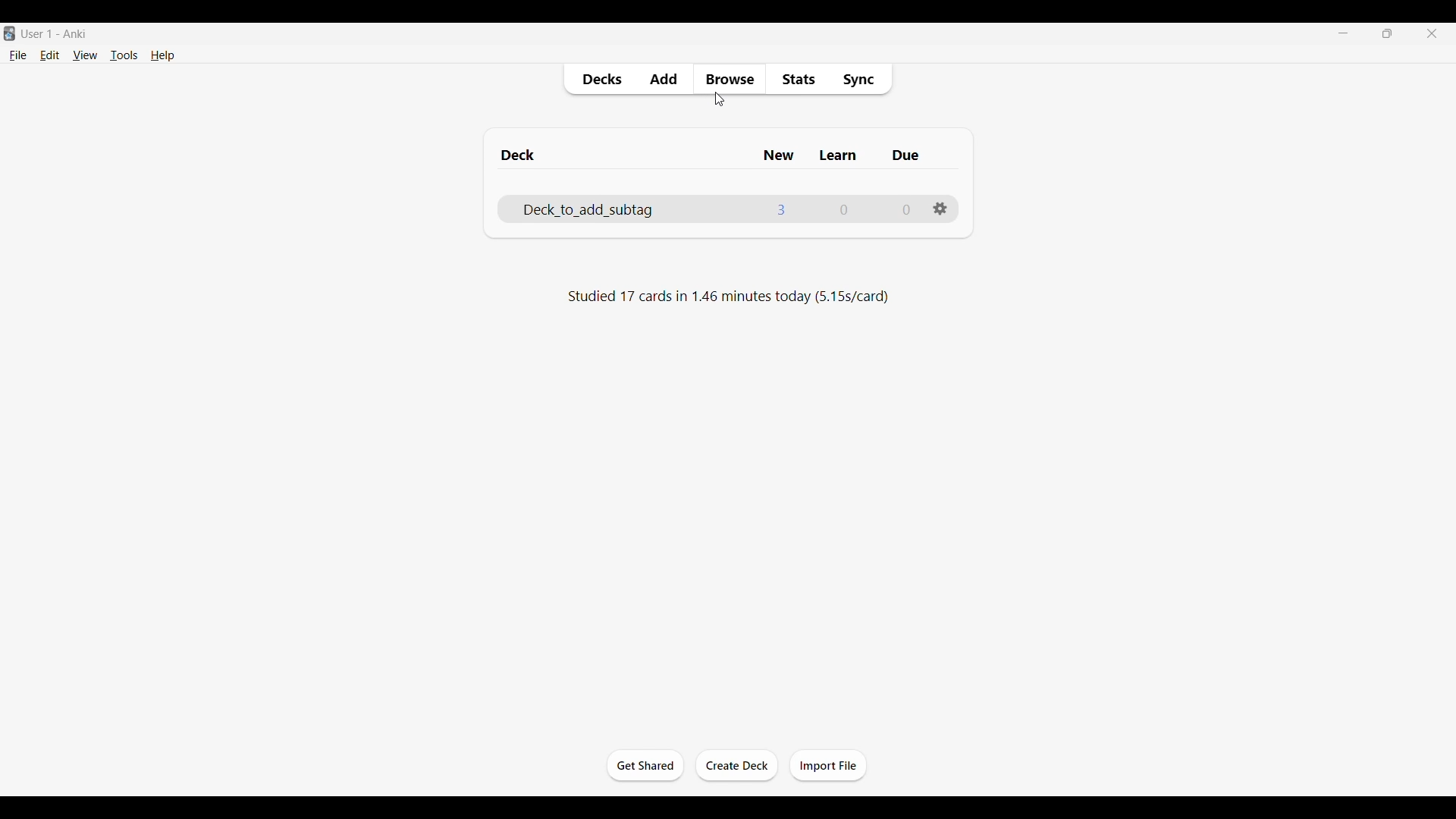  I want to click on Decks, so click(598, 79).